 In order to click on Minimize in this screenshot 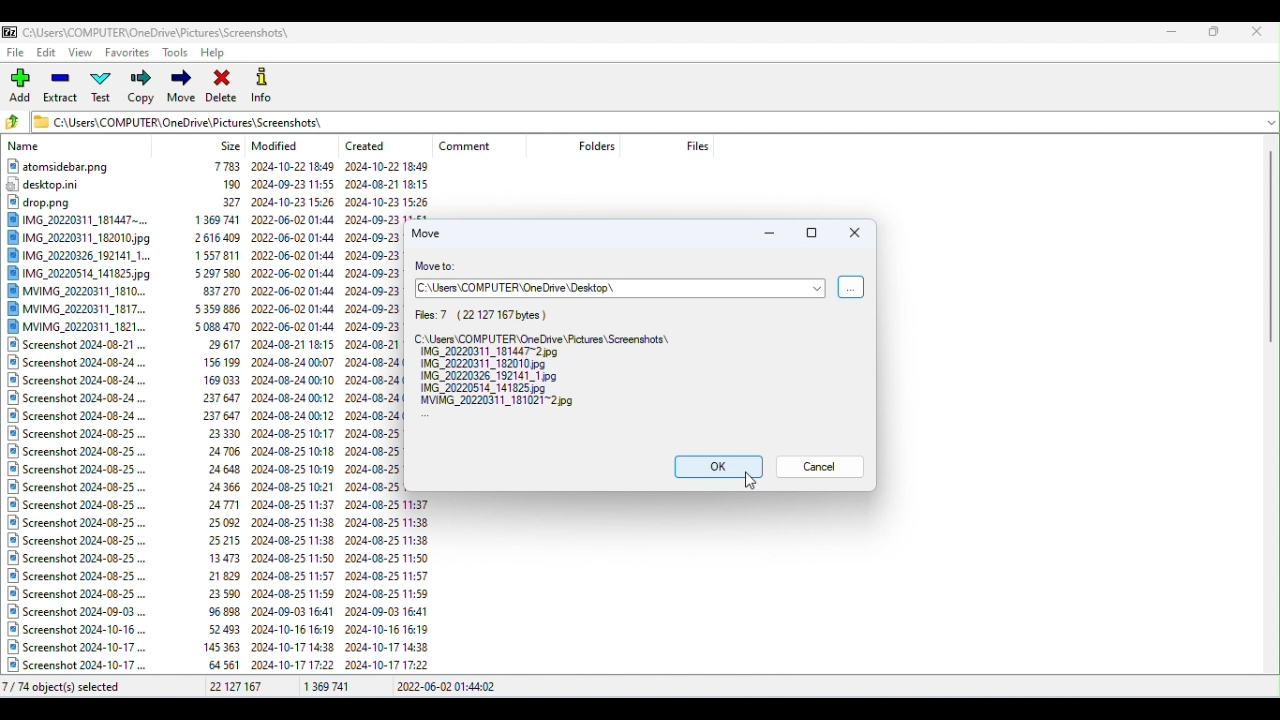, I will do `click(1174, 30)`.